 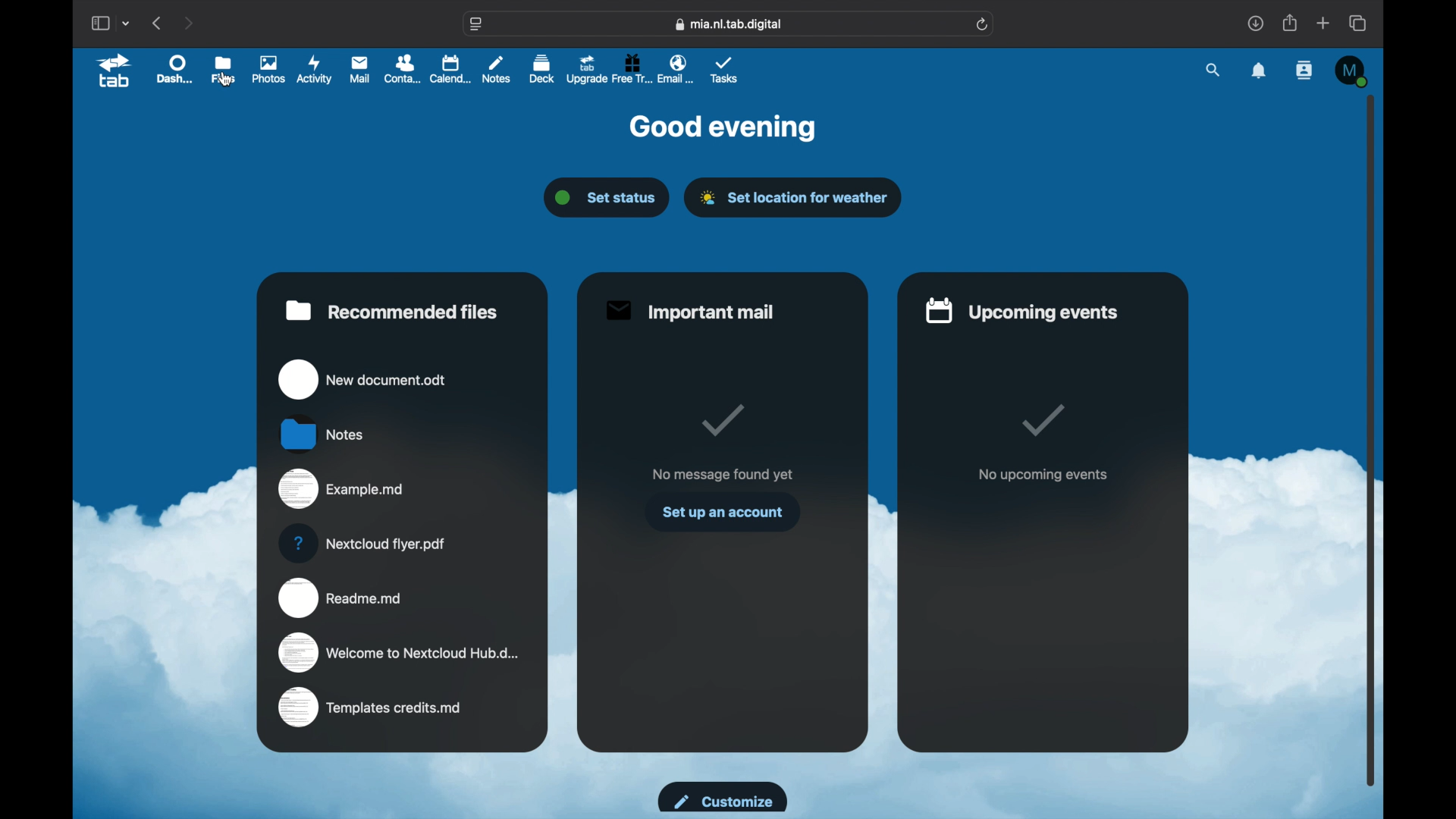 What do you see at coordinates (495, 70) in the screenshot?
I see `notes` at bounding box center [495, 70].